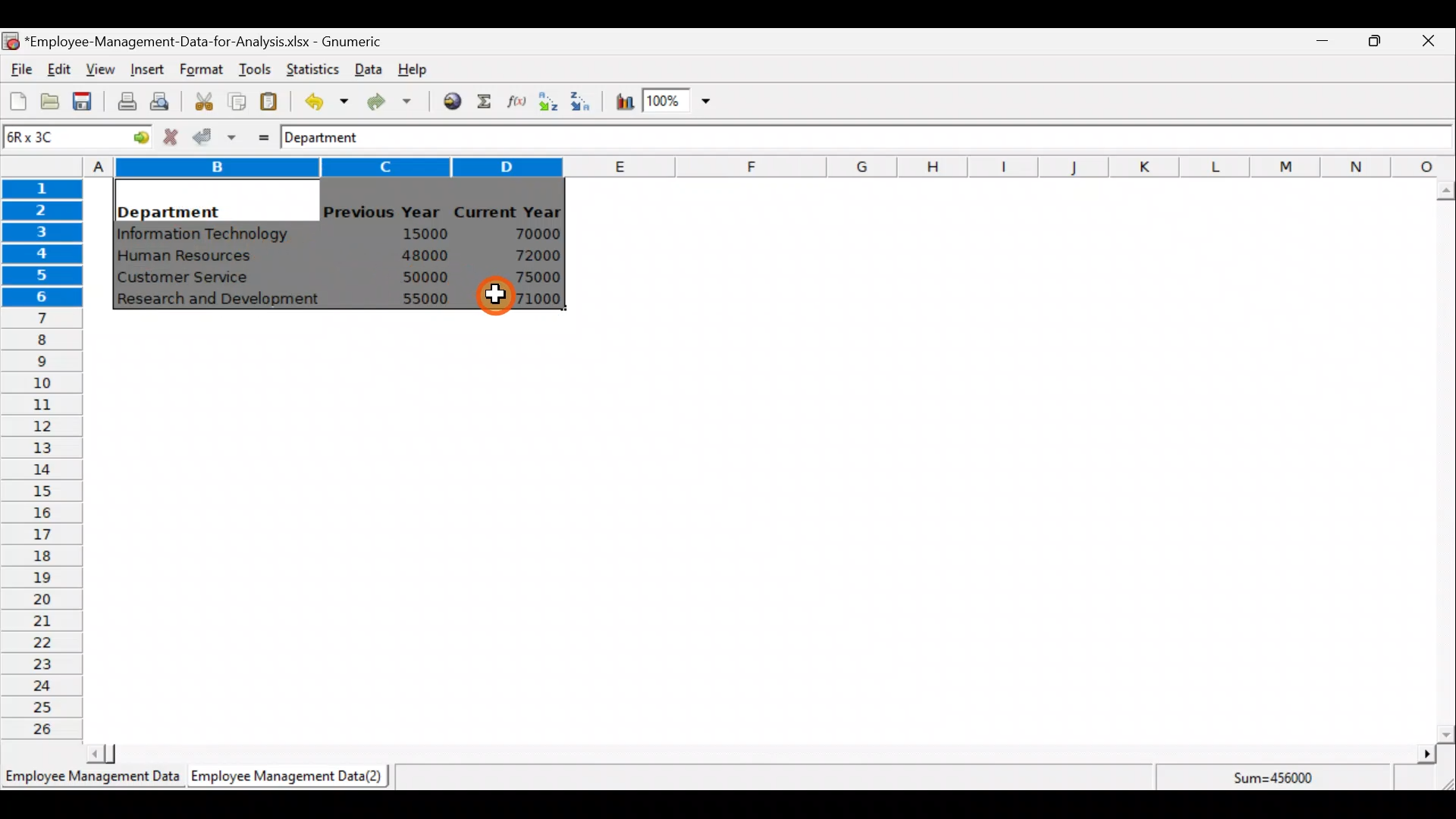 The width and height of the screenshot is (1456, 819). What do you see at coordinates (419, 233) in the screenshot?
I see `15000` at bounding box center [419, 233].